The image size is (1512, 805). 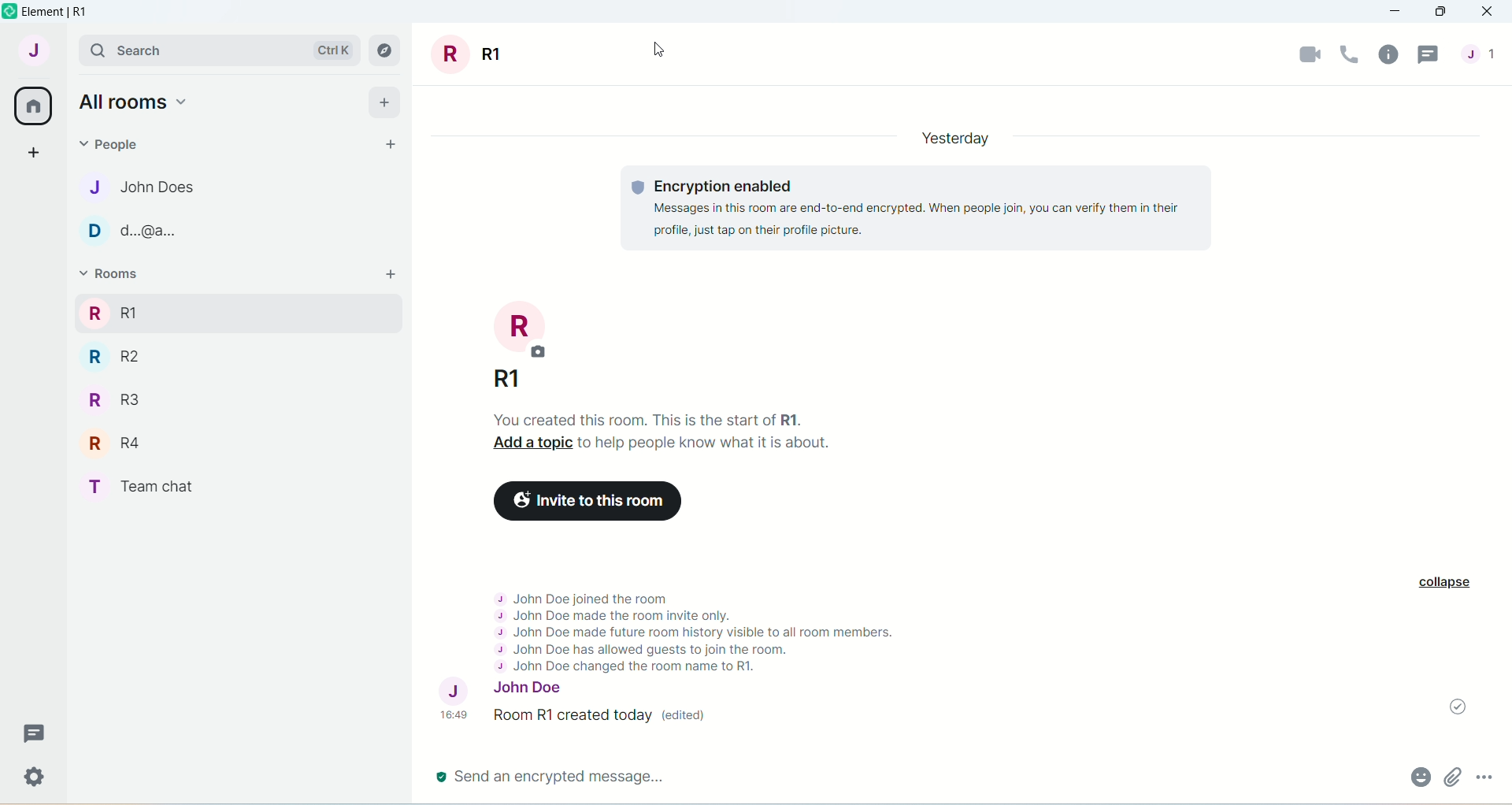 What do you see at coordinates (1421, 778) in the screenshot?
I see `Emoji` at bounding box center [1421, 778].